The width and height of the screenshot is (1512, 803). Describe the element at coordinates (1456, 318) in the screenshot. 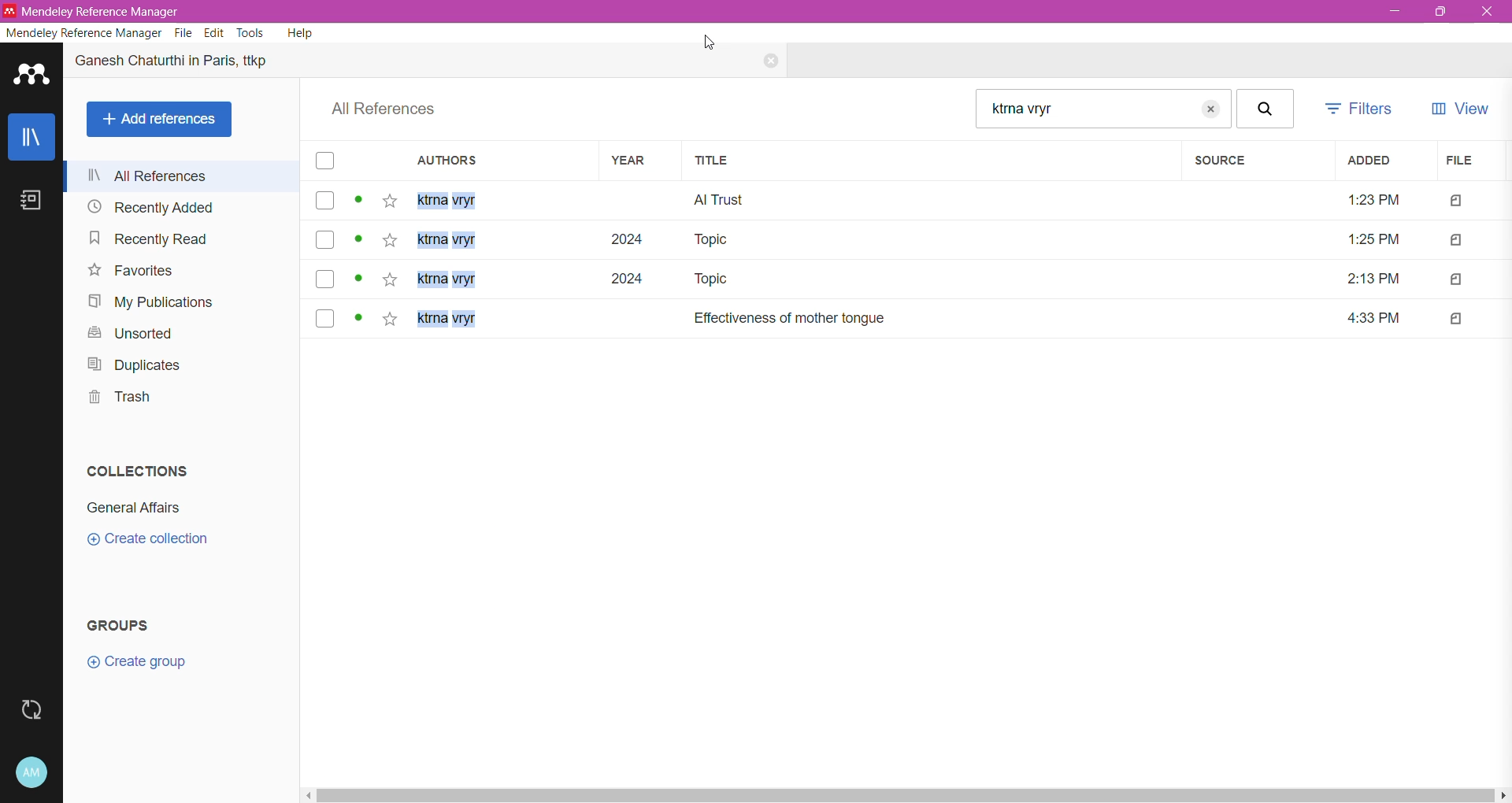

I see `file type` at that location.